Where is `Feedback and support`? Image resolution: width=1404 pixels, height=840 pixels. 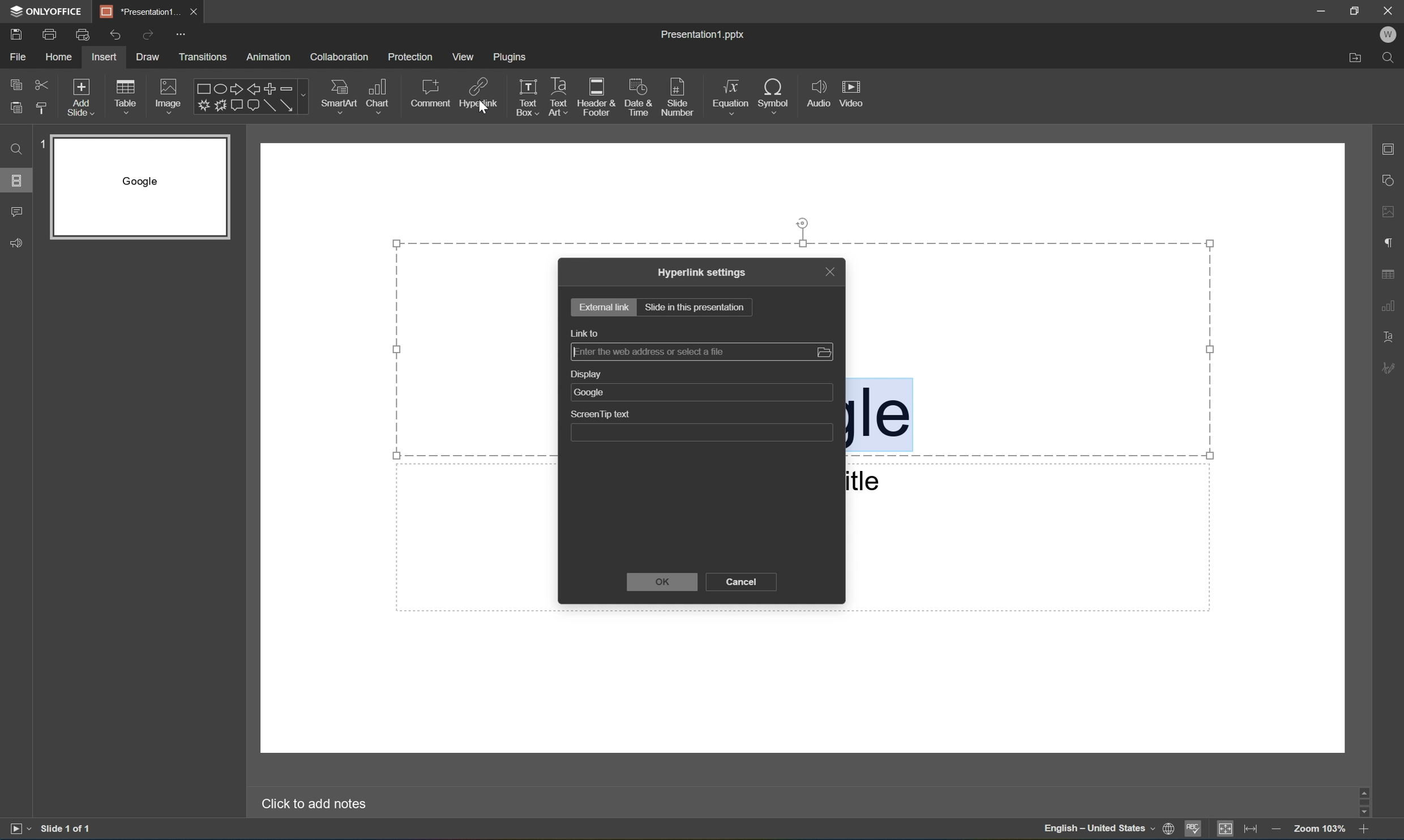
Feedback and support is located at coordinates (16, 242).